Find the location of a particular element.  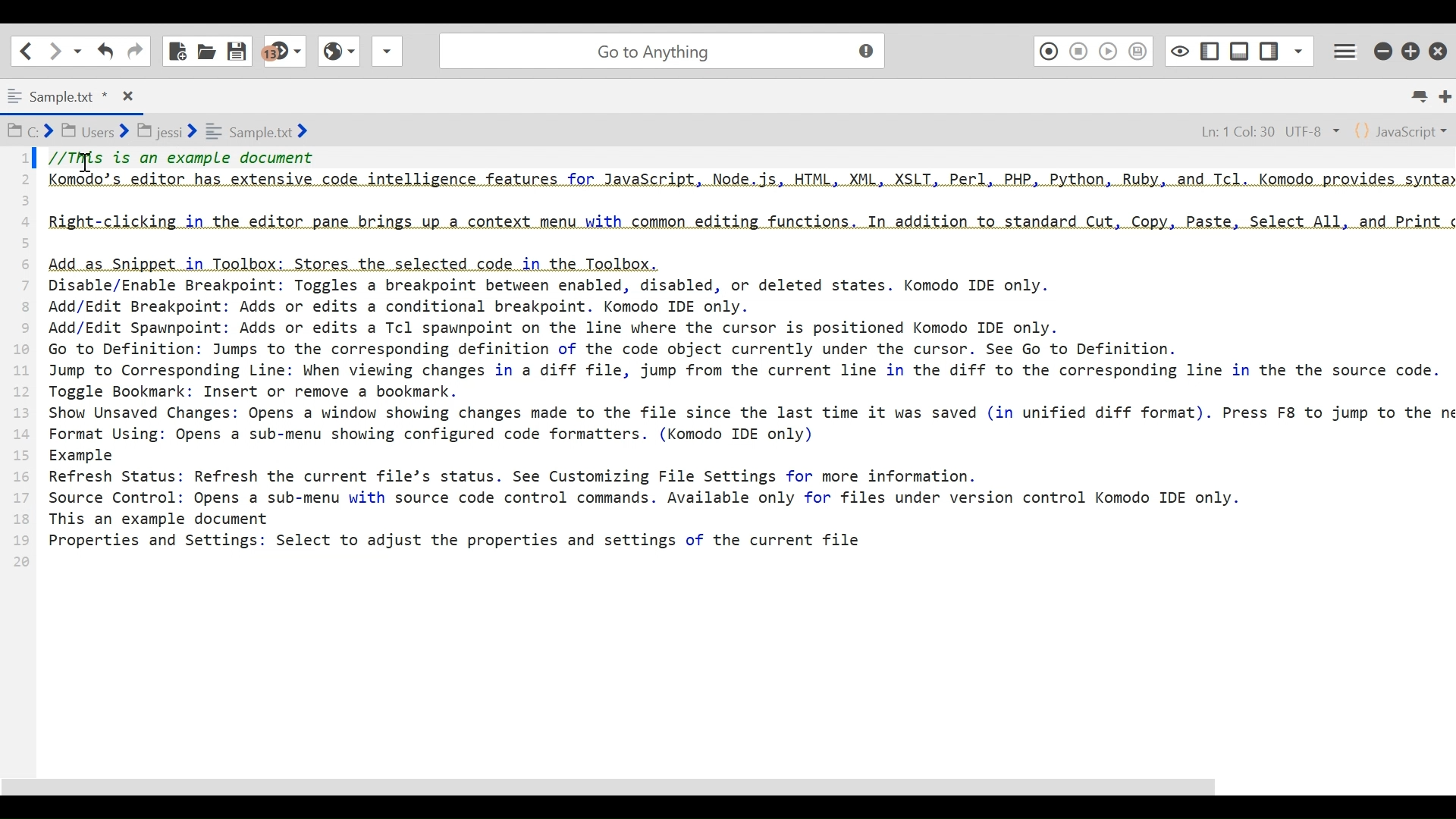

Open File is located at coordinates (206, 49).